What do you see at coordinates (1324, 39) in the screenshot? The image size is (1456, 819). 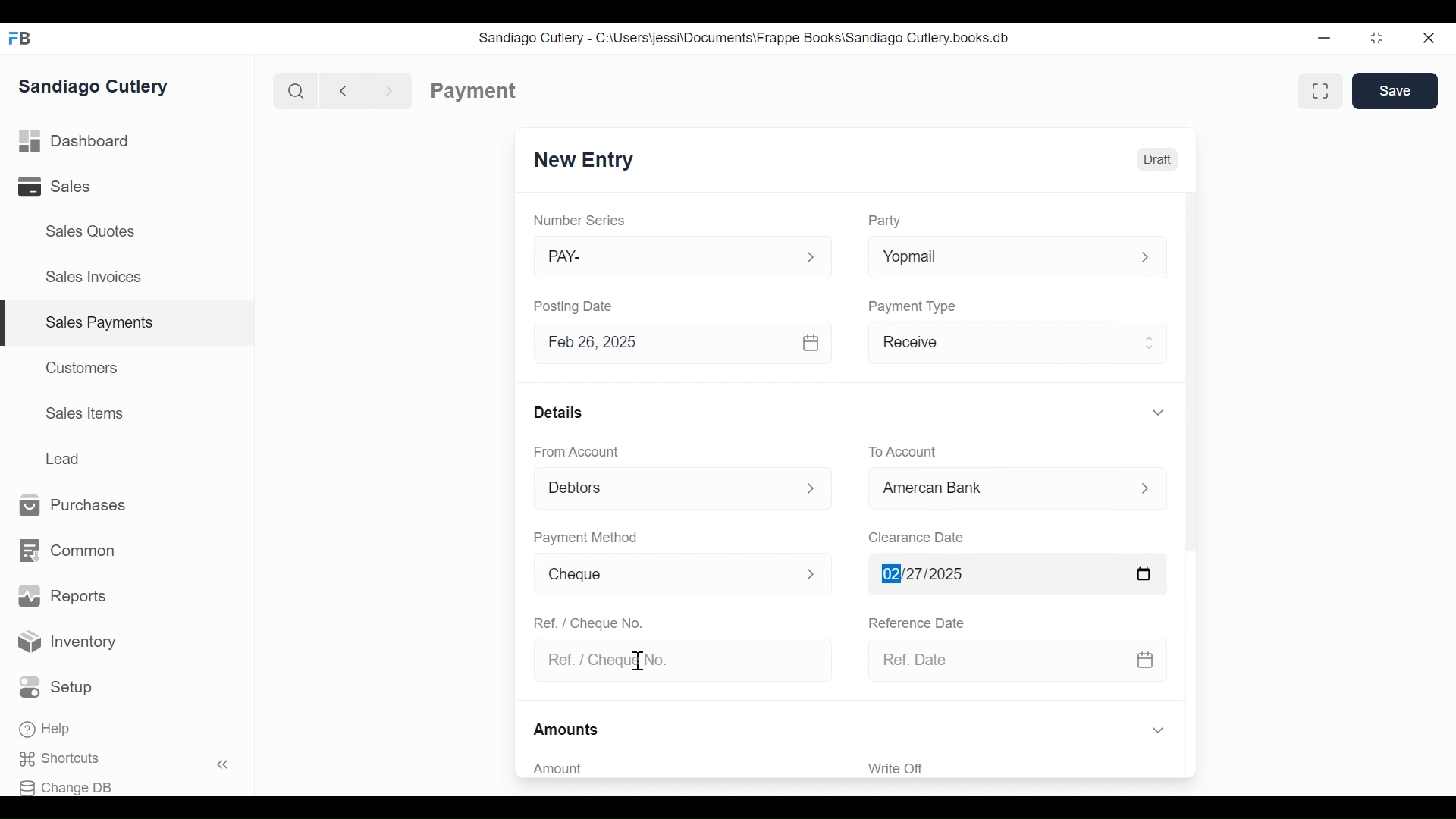 I see `Minimize` at bounding box center [1324, 39].